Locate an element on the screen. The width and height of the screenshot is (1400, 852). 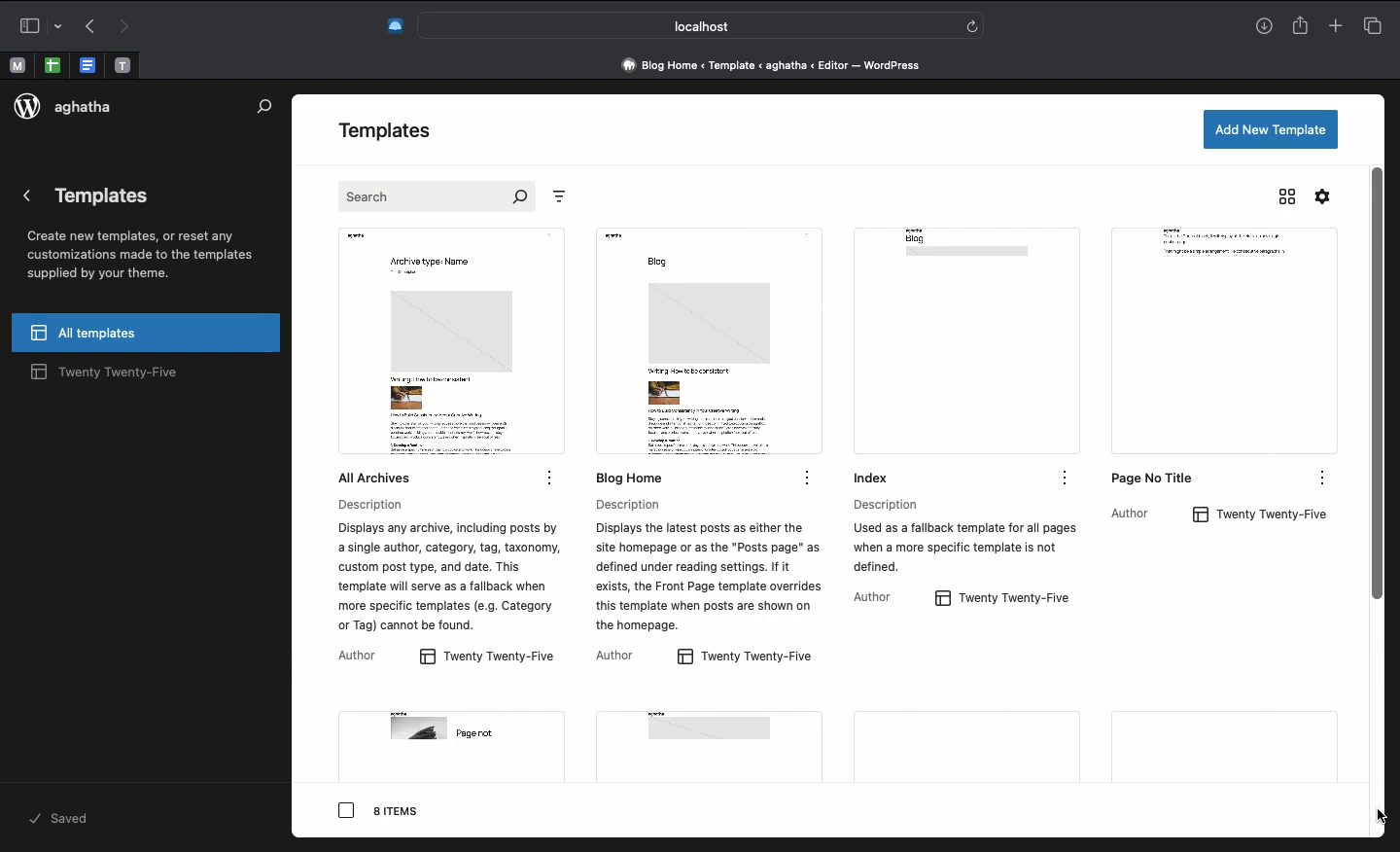
Templates is located at coordinates (140, 242).